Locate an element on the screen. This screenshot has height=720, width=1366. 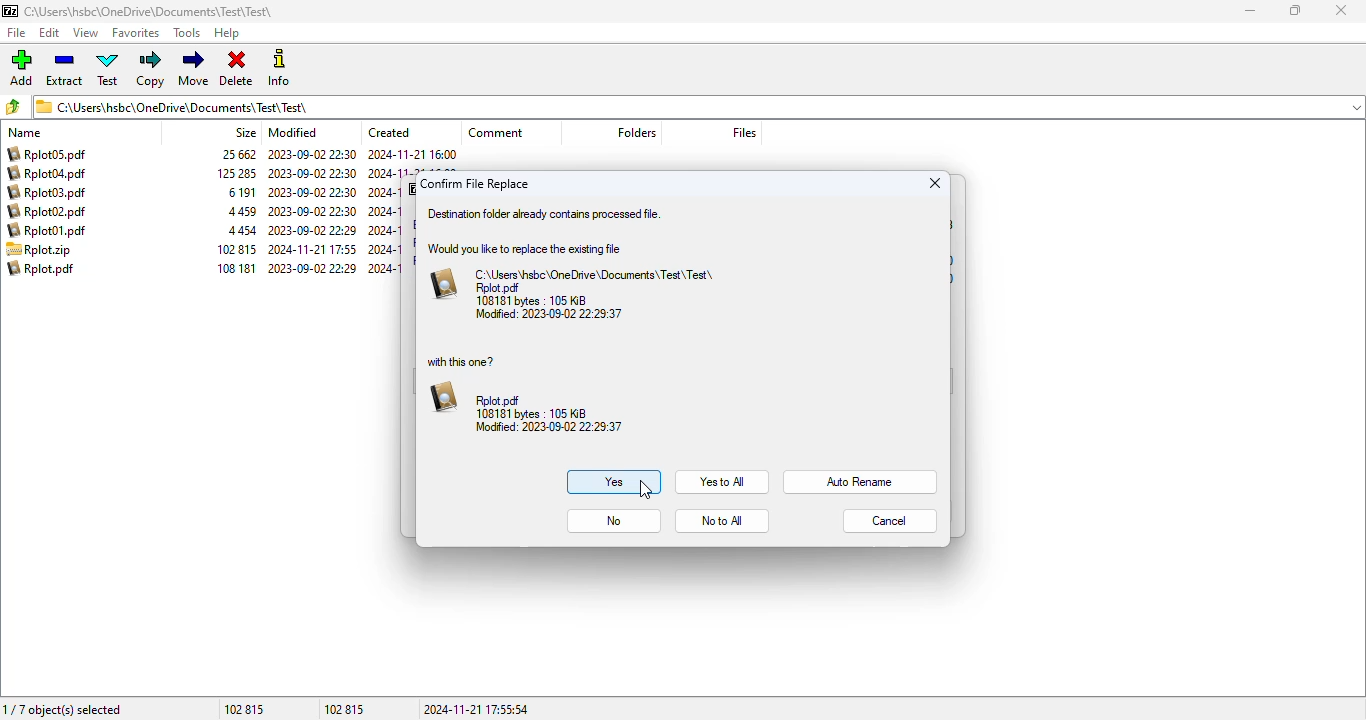
copy is located at coordinates (149, 69).